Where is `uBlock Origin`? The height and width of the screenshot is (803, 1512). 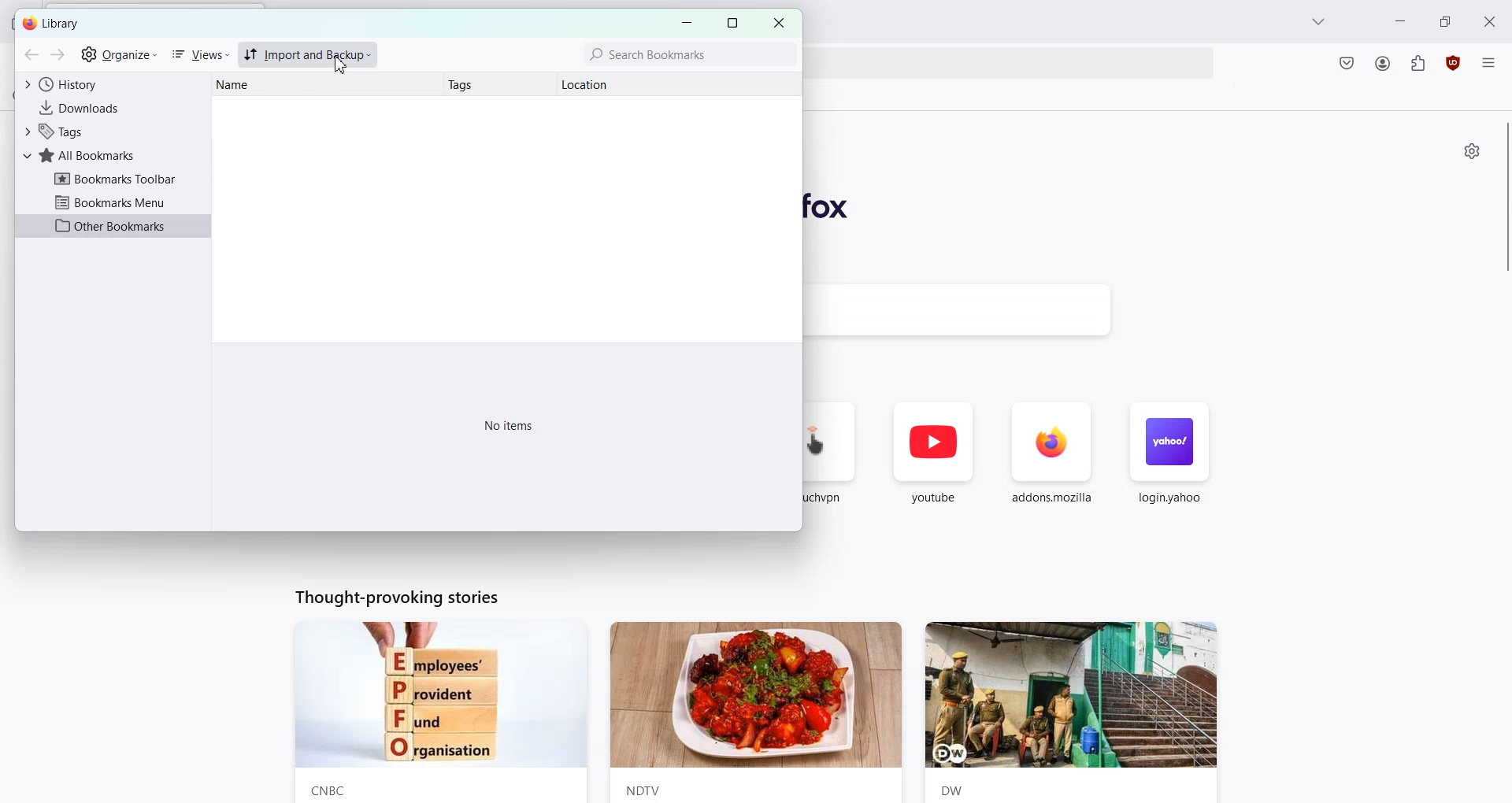 uBlock Origin is located at coordinates (1452, 63).